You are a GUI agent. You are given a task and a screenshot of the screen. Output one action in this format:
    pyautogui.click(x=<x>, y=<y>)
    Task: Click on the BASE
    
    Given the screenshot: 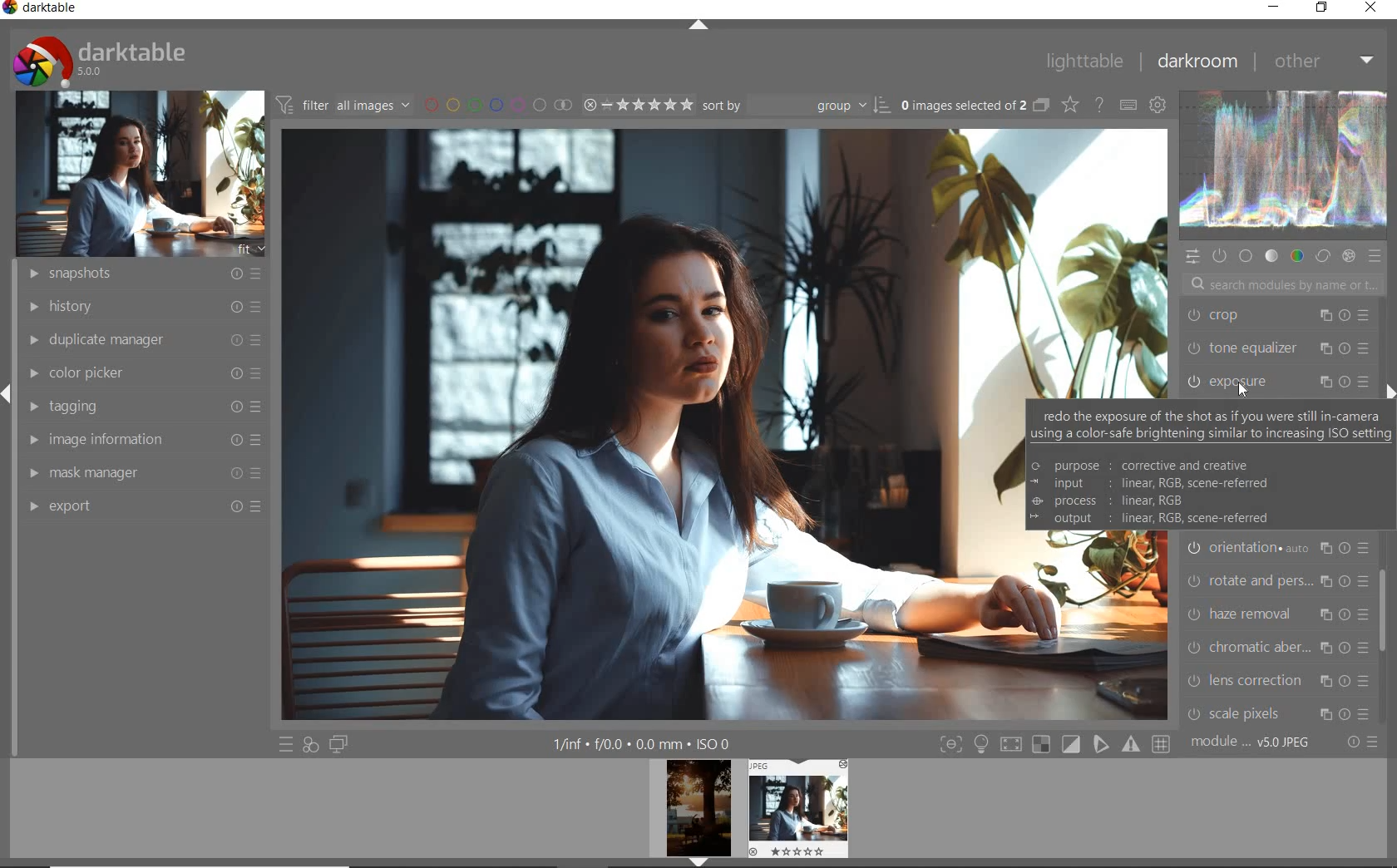 What is the action you would take?
    pyautogui.click(x=1246, y=257)
    